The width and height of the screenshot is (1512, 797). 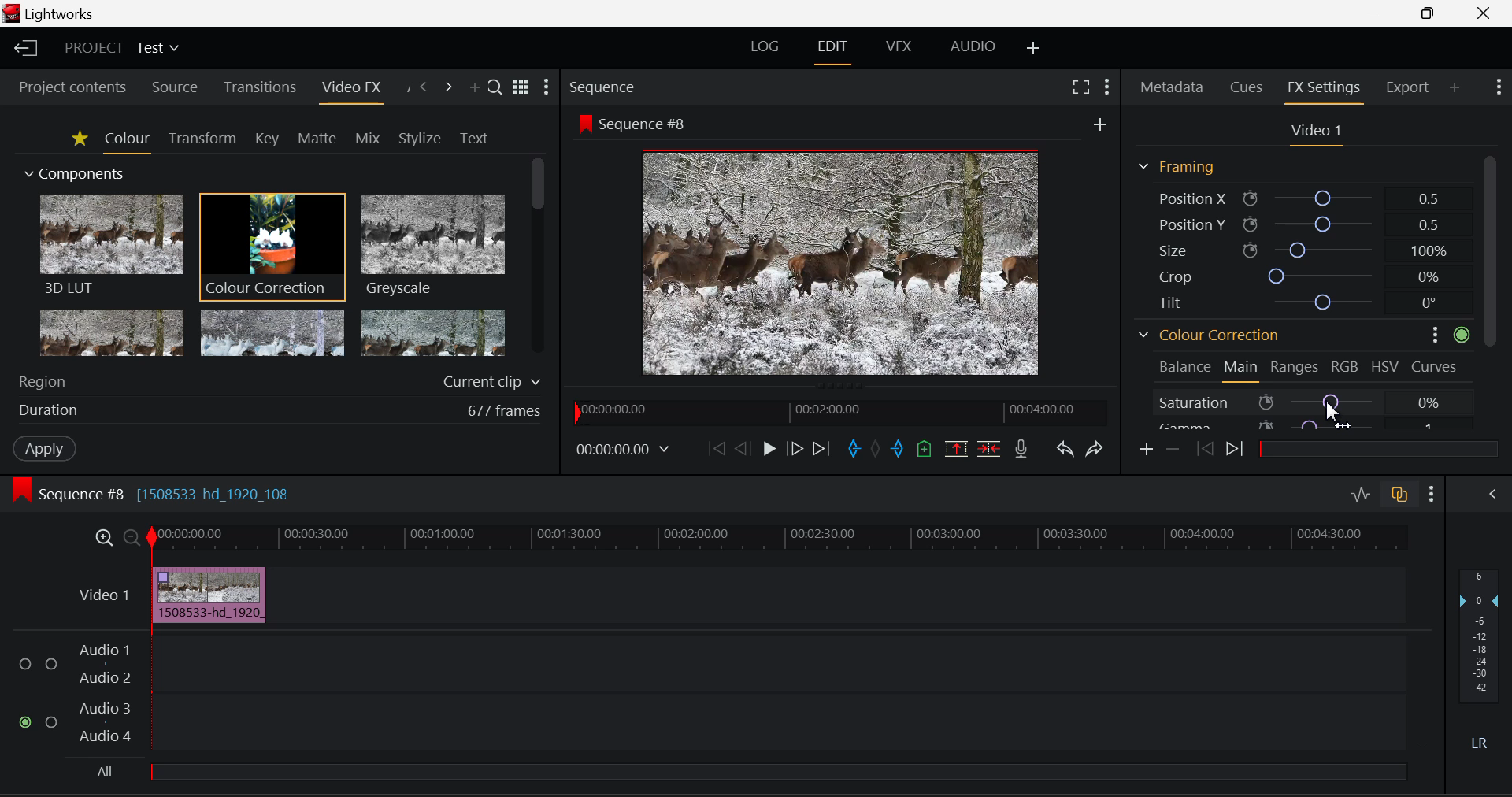 I want to click on Audio Input Field, so click(x=776, y=662).